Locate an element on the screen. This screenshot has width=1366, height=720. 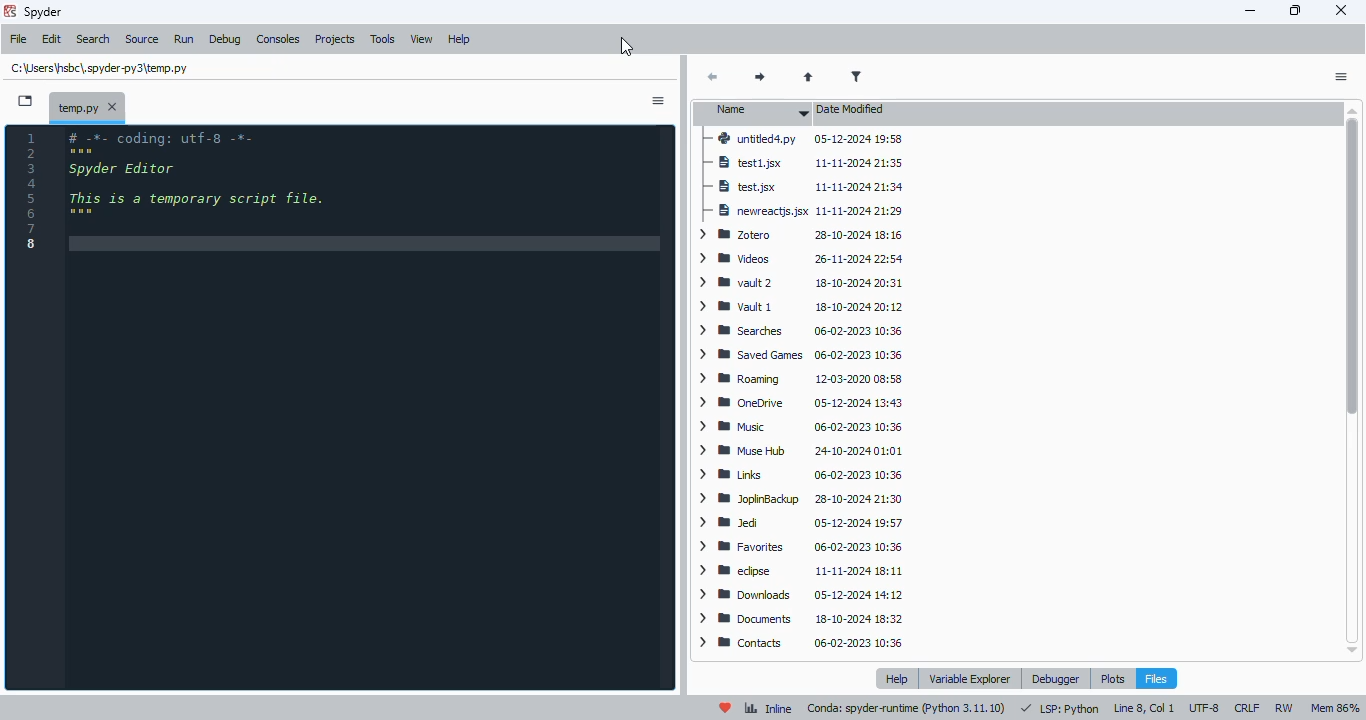
newreactjs.jsx is located at coordinates (806, 209).